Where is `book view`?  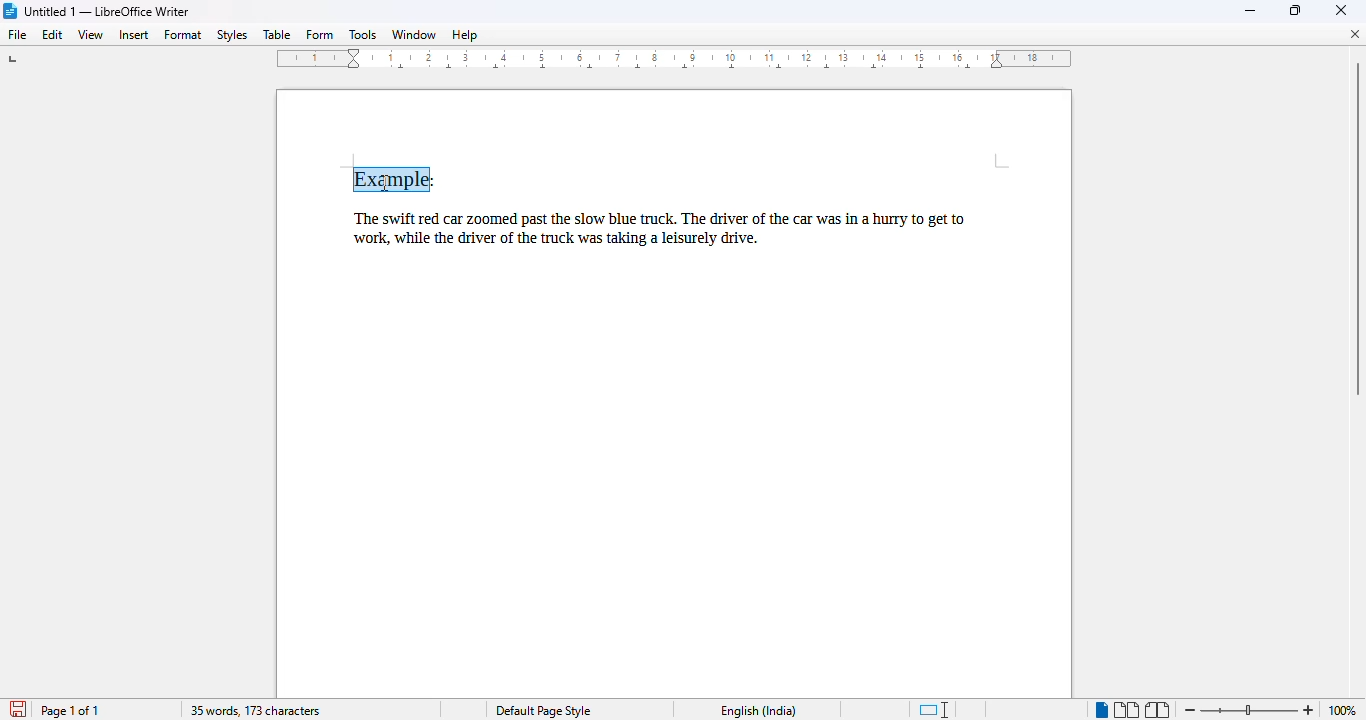
book view is located at coordinates (1158, 710).